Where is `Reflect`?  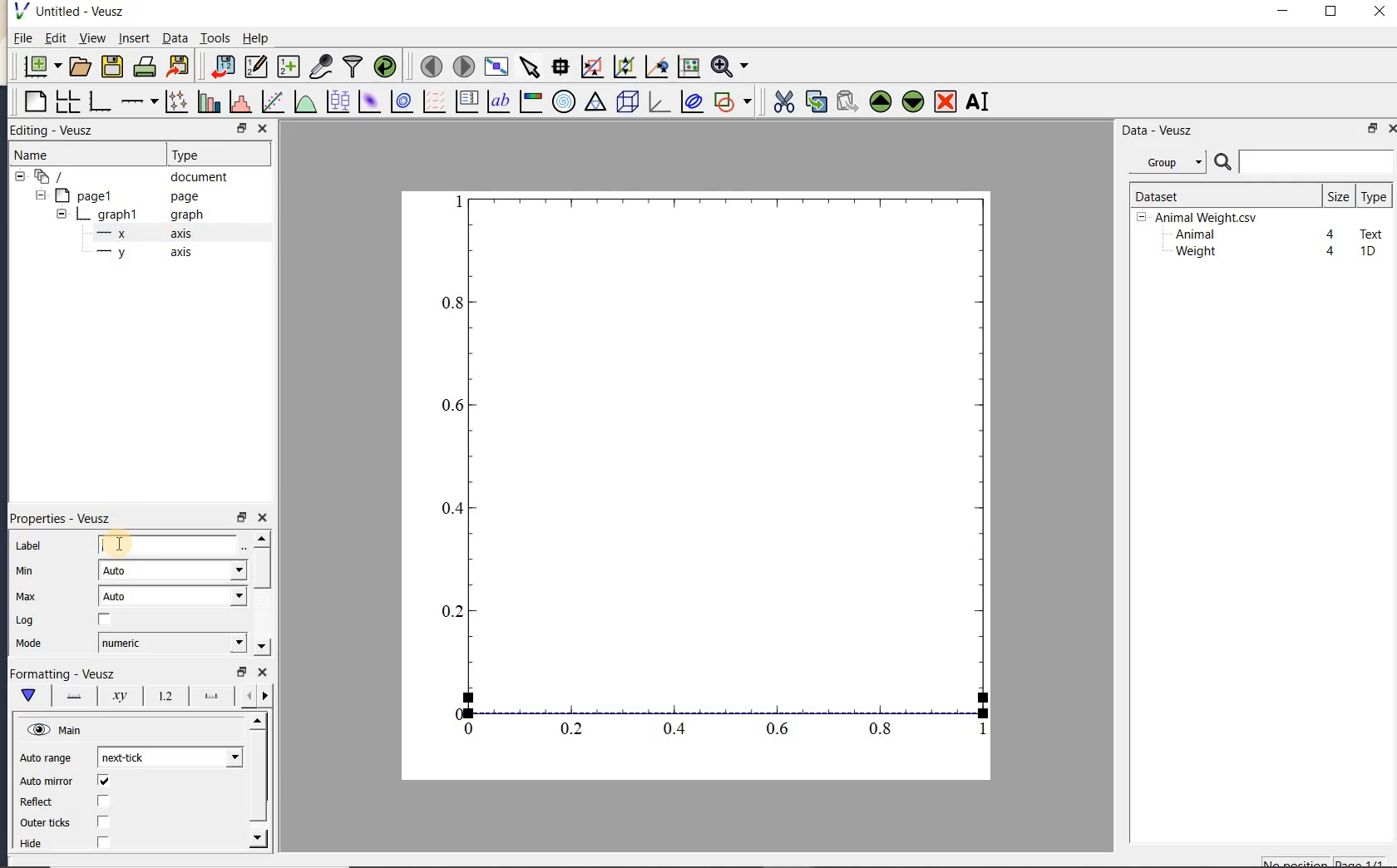 Reflect is located at coordinates (44, 802).